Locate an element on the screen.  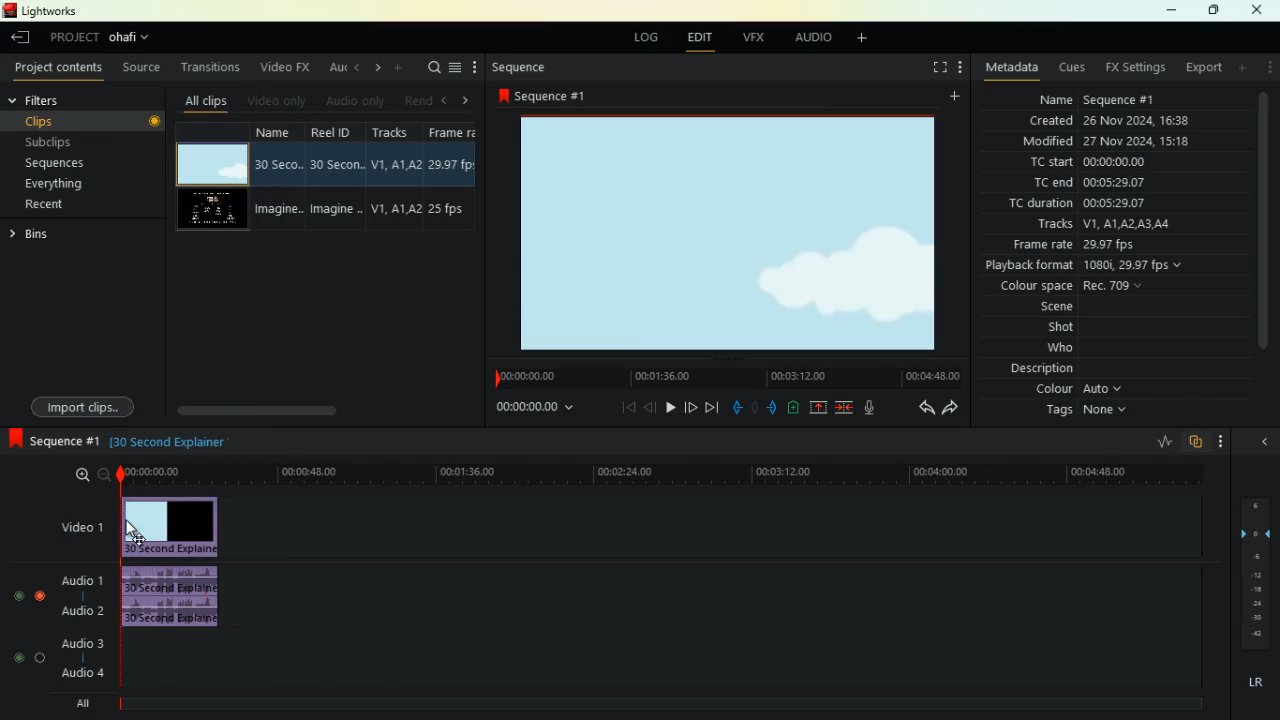
video is located at coordinates (180, 526).